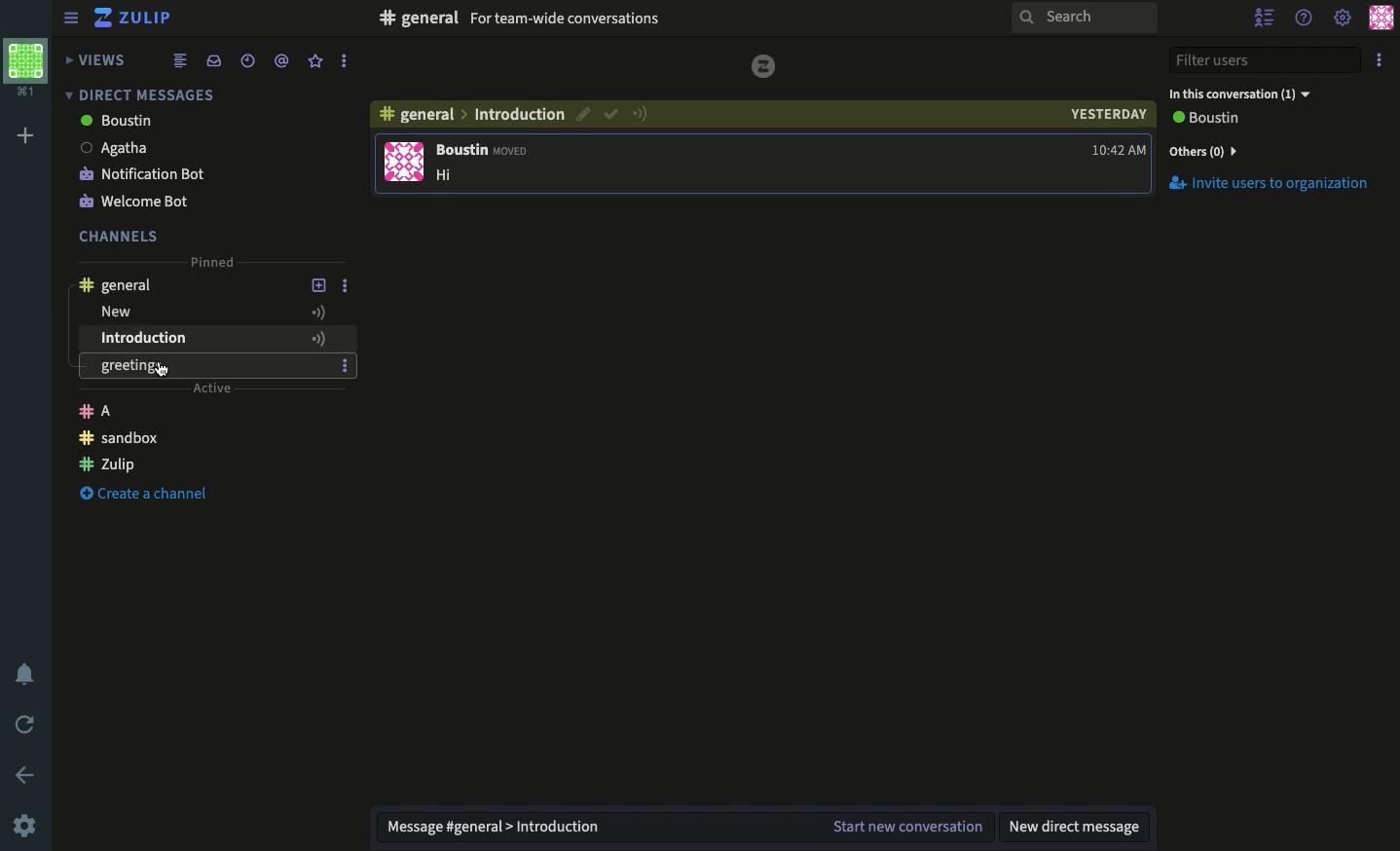 This screenshot has height=851, width=1400. Describe the element at coordinates (316, 60) in the screenshot. I see `Favorite` at that location.